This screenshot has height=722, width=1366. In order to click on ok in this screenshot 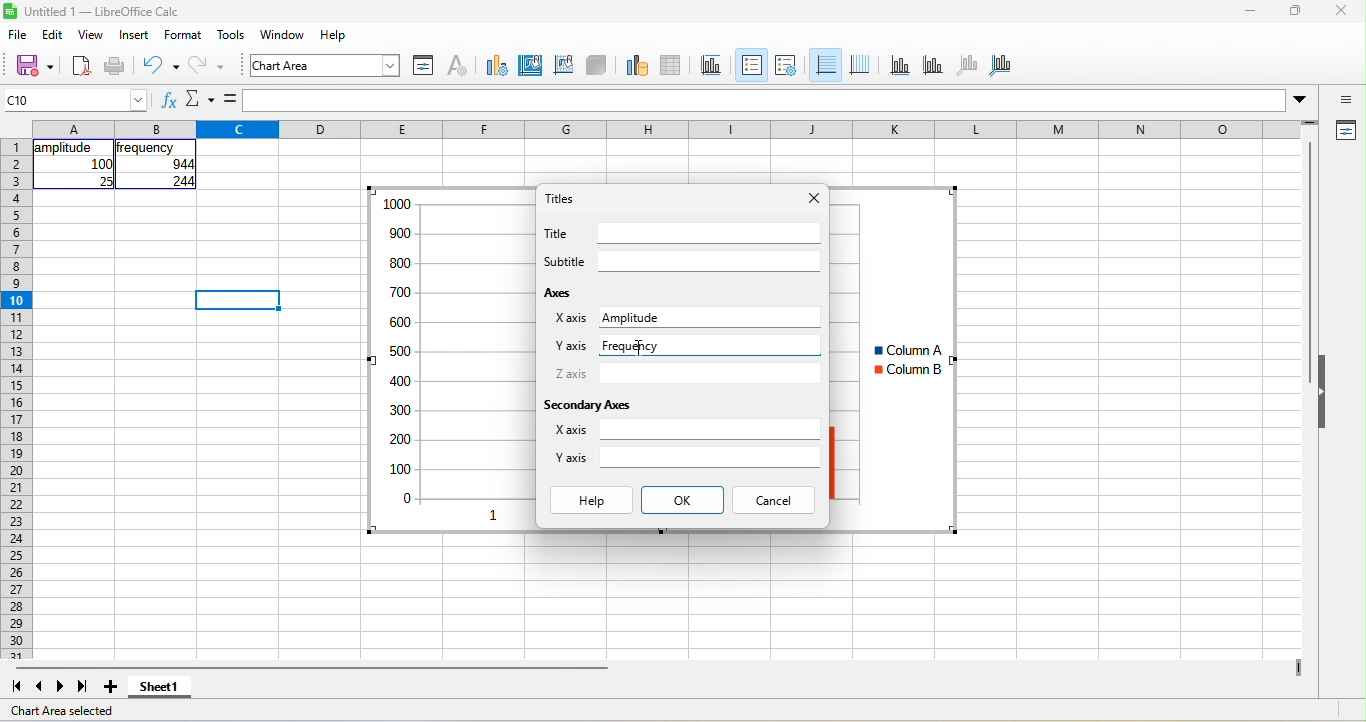, I will do `click(683, 500)`.